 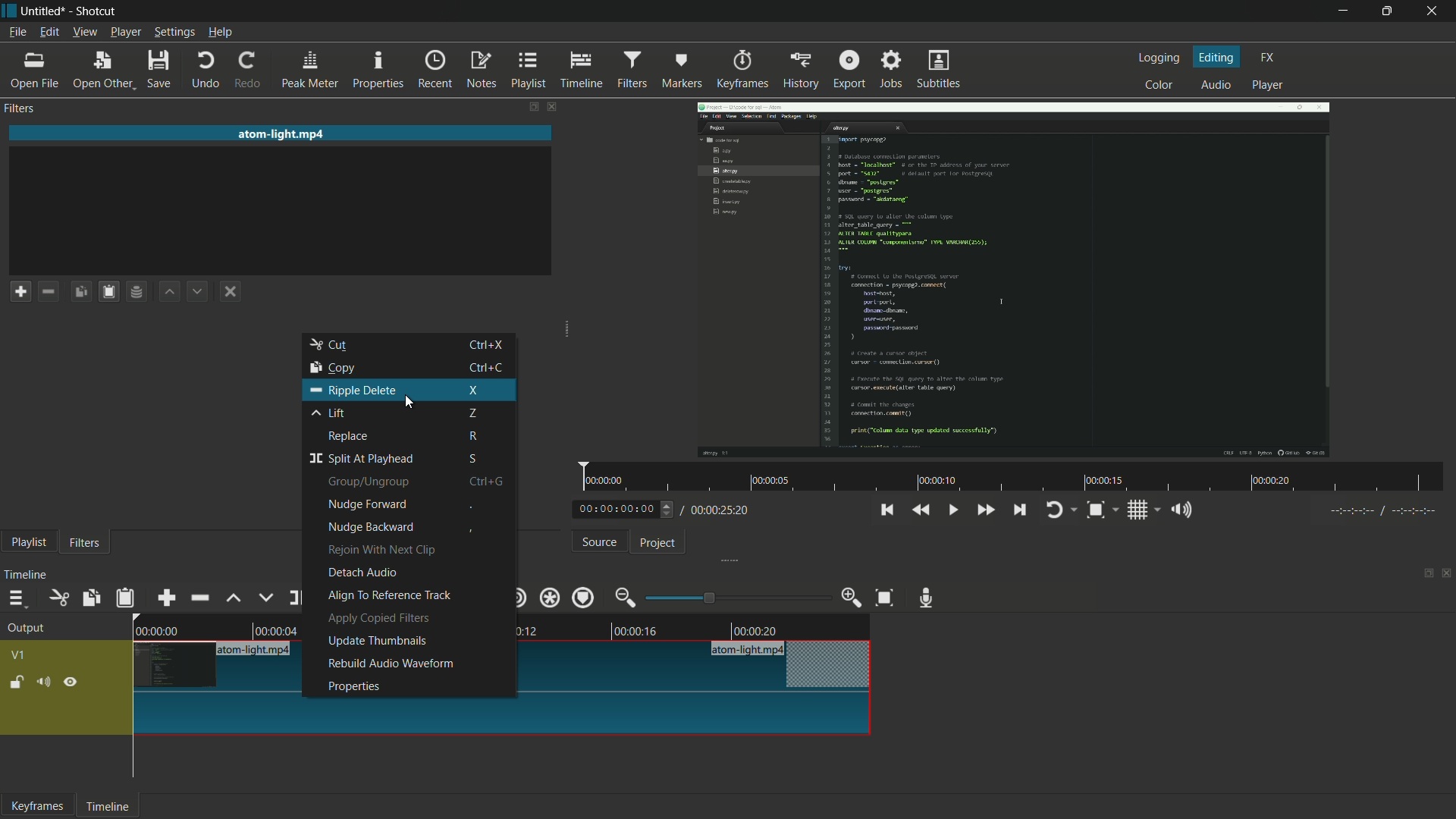 I want to click on markers, so click(x=682, y=69).